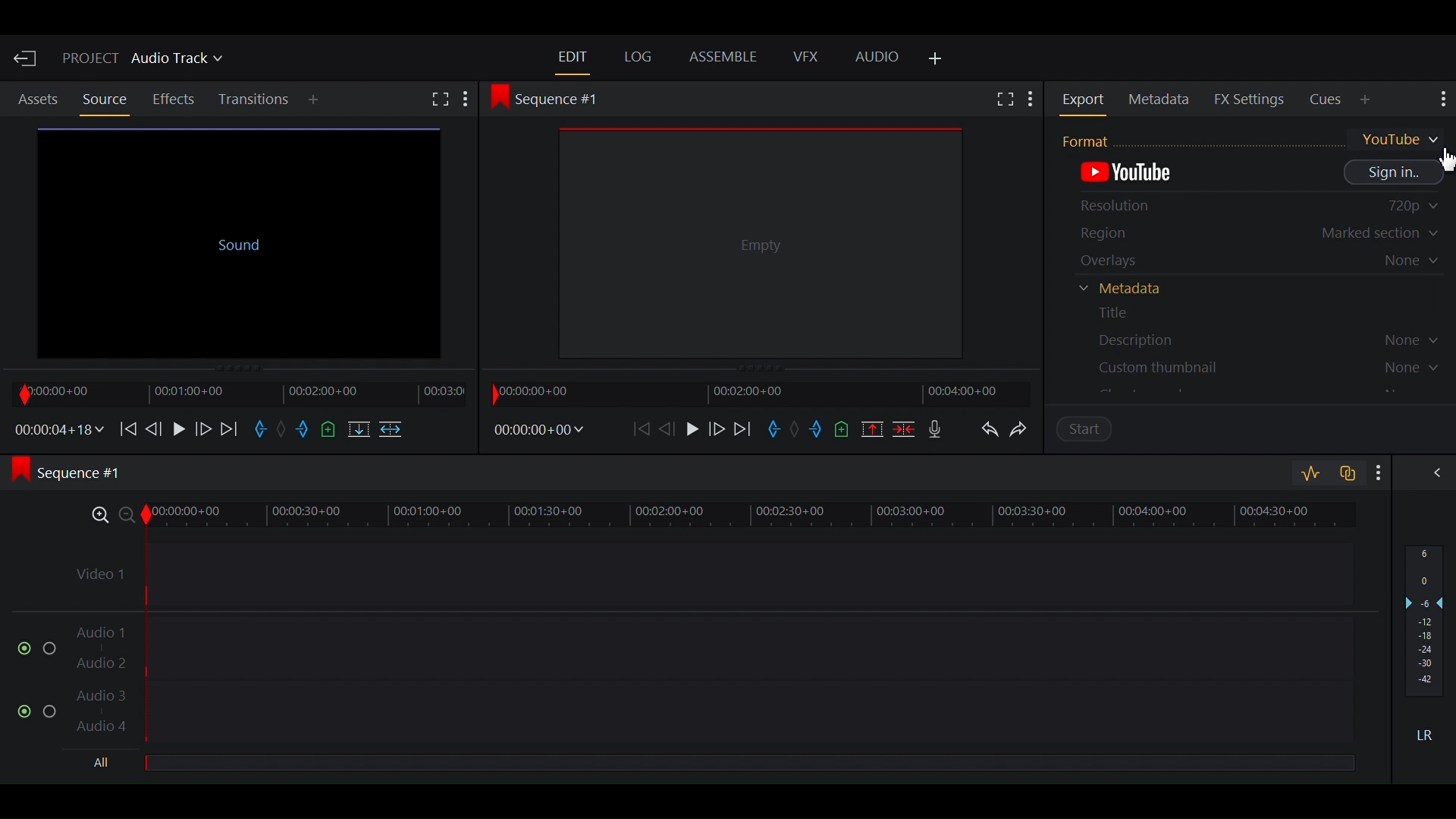 This screenshot has height=819, width=1456. I want to click on Sequence #1, so click(551, 98).